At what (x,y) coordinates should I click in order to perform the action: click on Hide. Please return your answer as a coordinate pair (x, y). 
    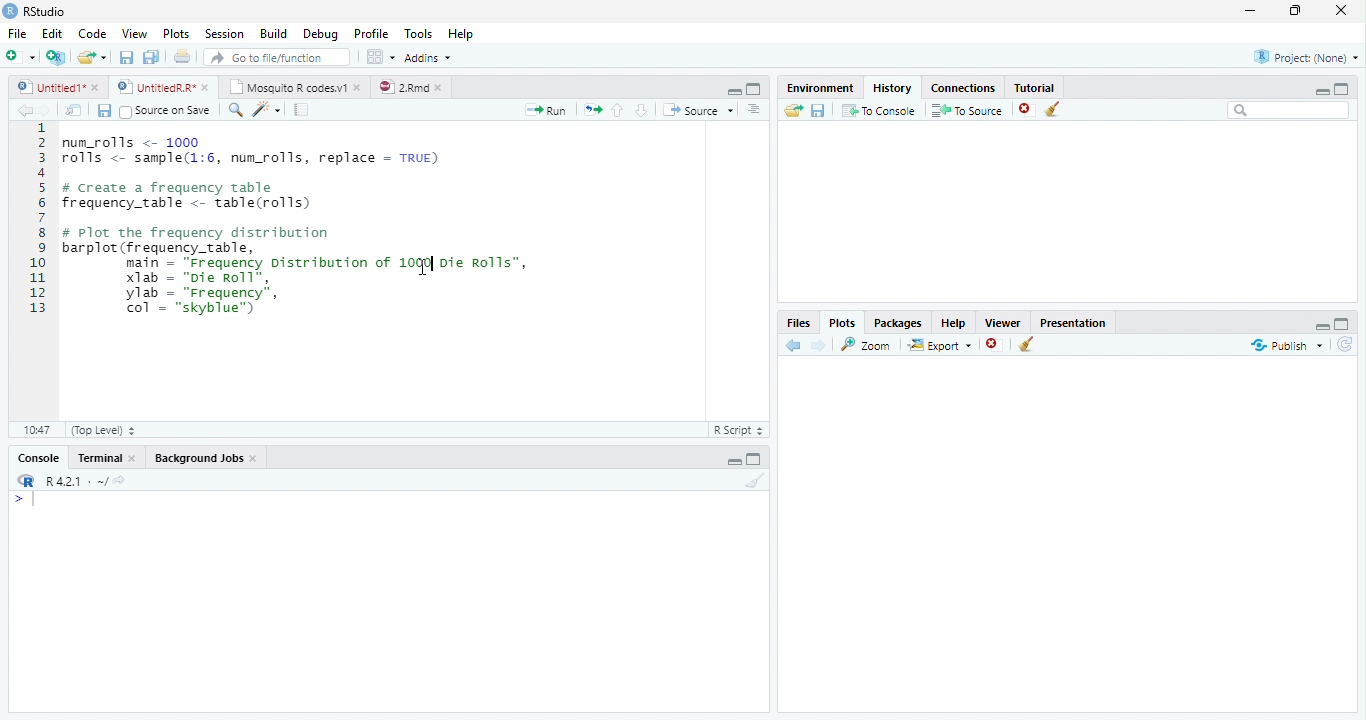
    Looking at the image, I should click on (732, 91).